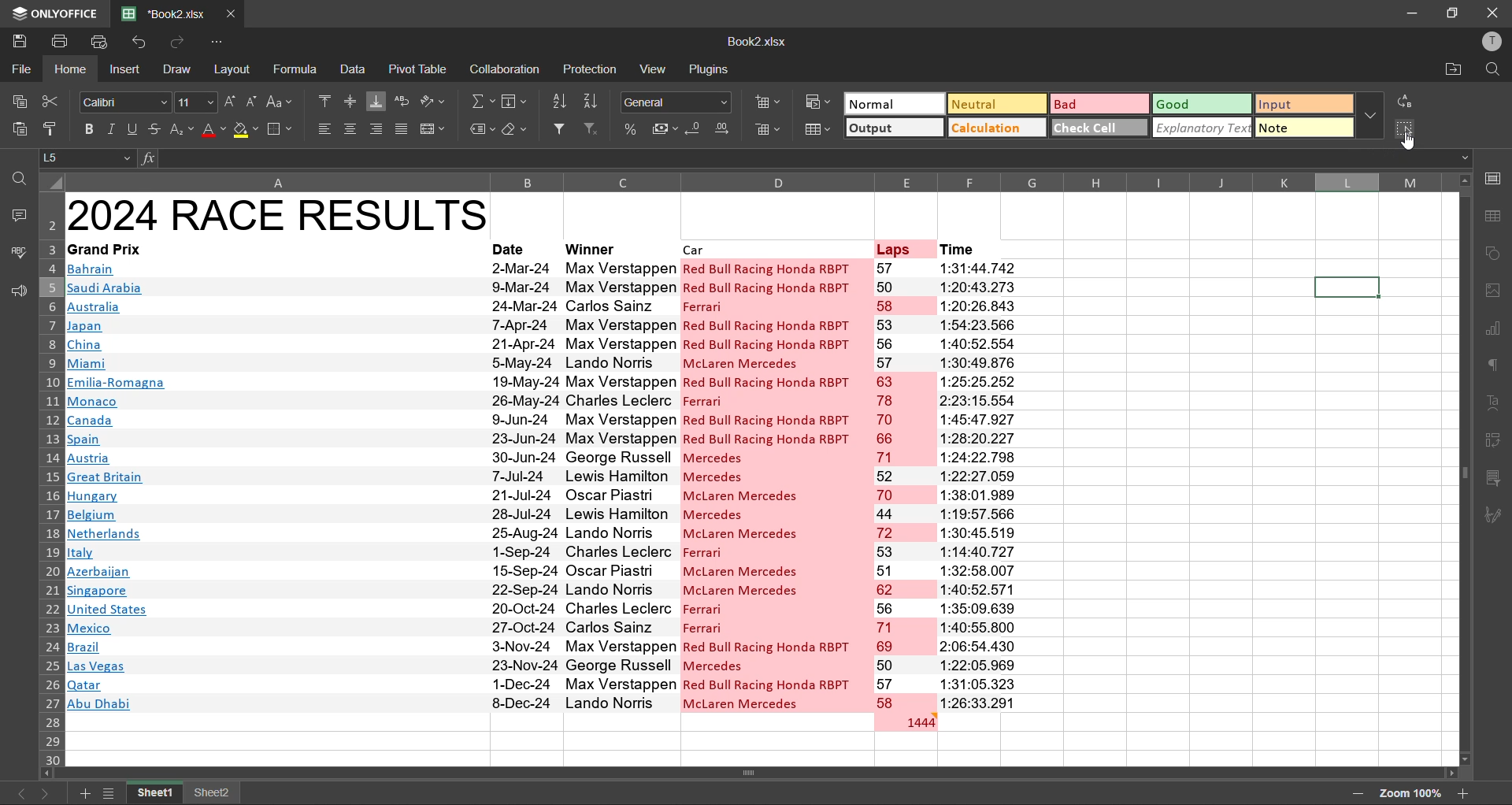  What do you see at coordinates (176, 42) in the screenshot?
I see `redo` at bounding box center [176, 42].